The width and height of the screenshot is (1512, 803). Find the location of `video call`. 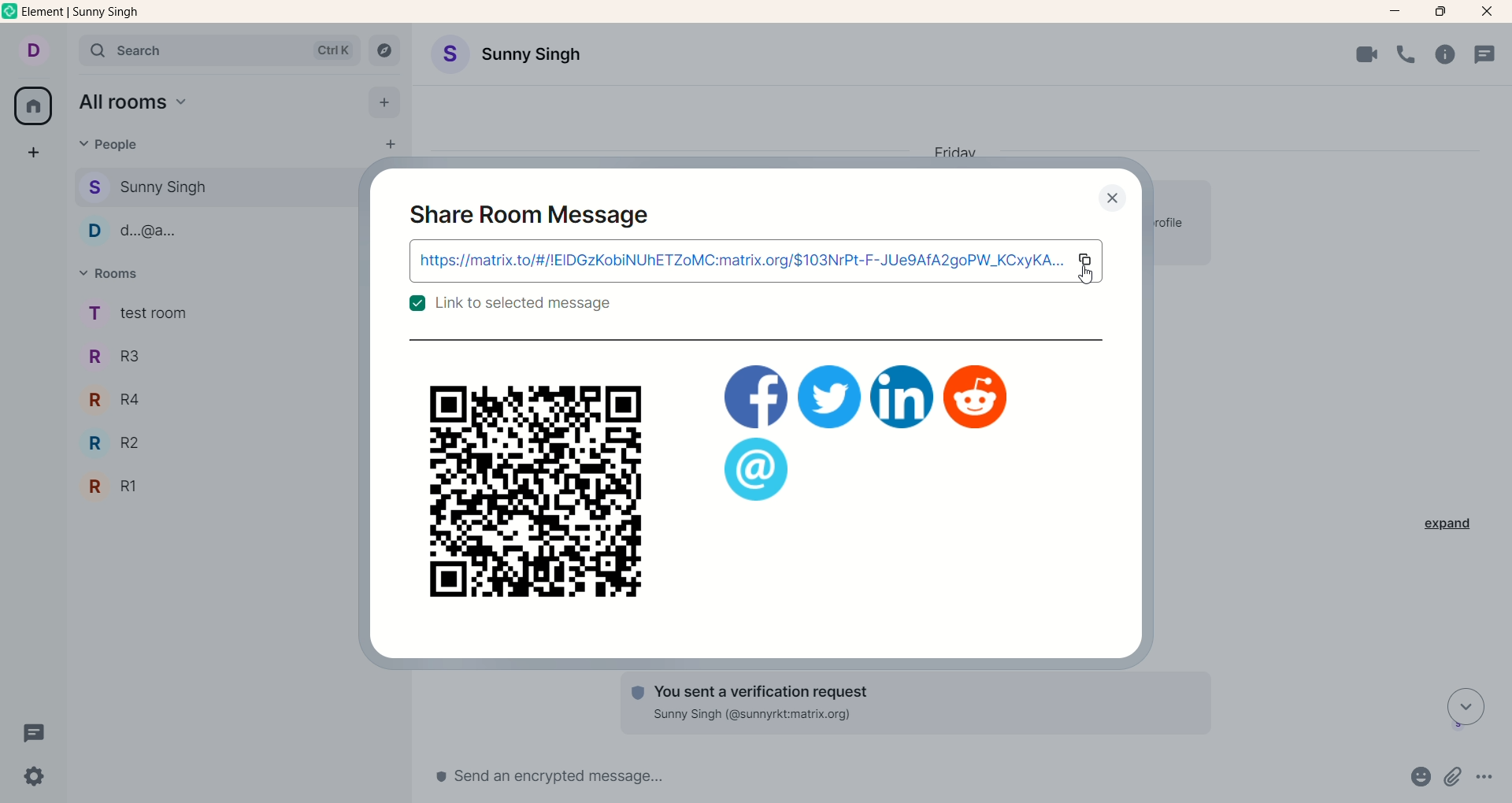

video call is located at coordinates (1365, 55).